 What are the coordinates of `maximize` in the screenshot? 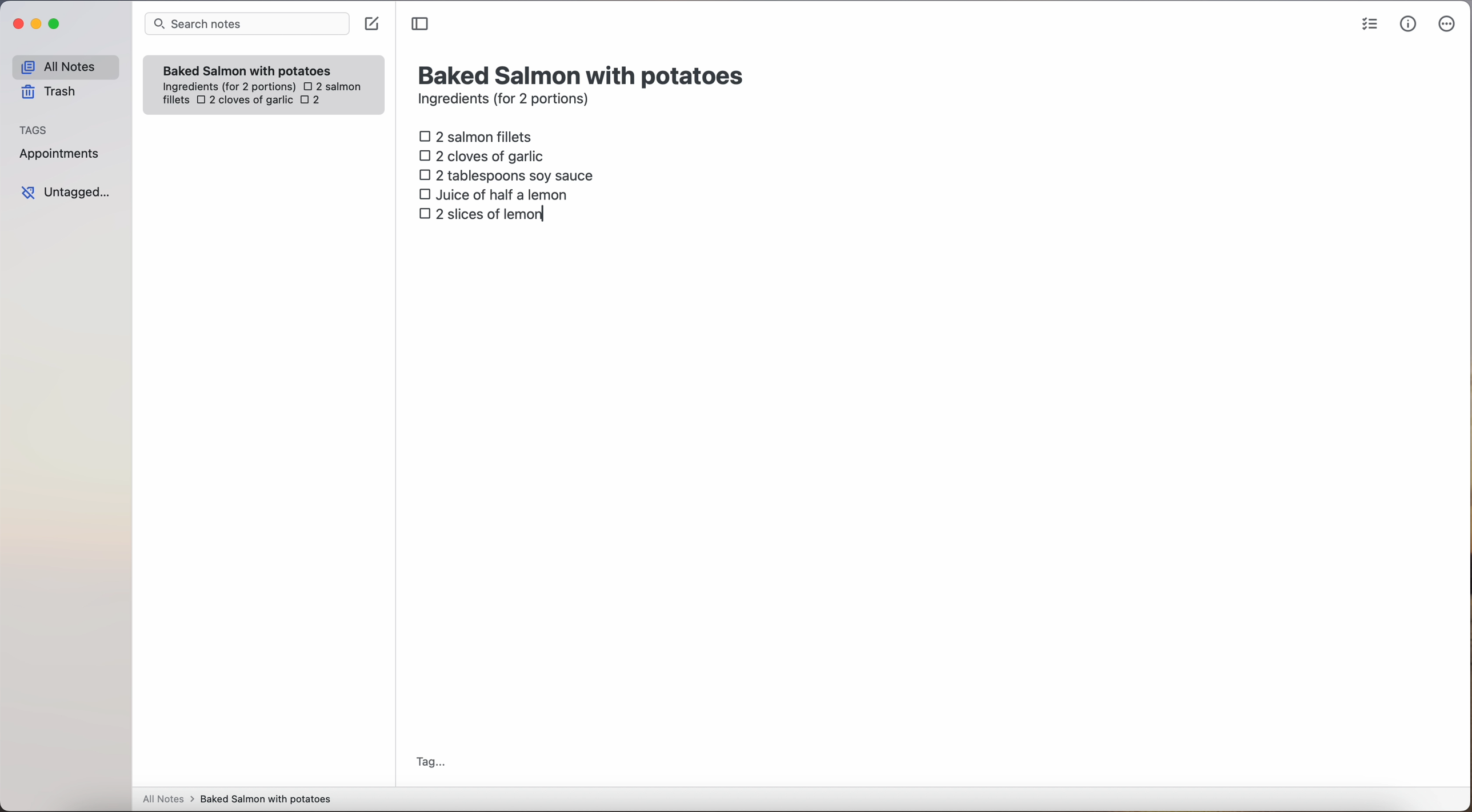 It's located at (56, 23).